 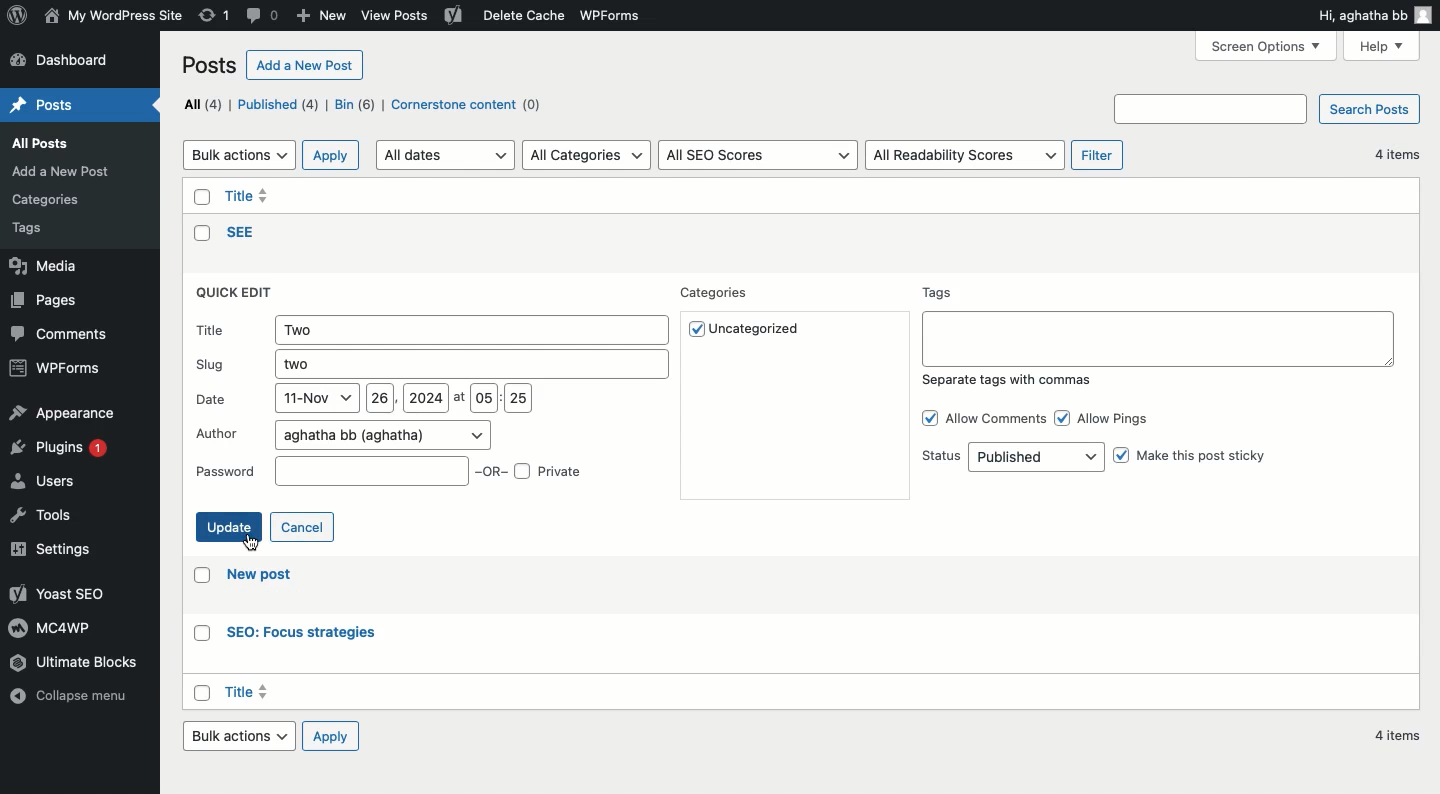 What do you see at coordinates (362, 401) in the screenshot?
I see `Date` at bounding box center [362, 401].